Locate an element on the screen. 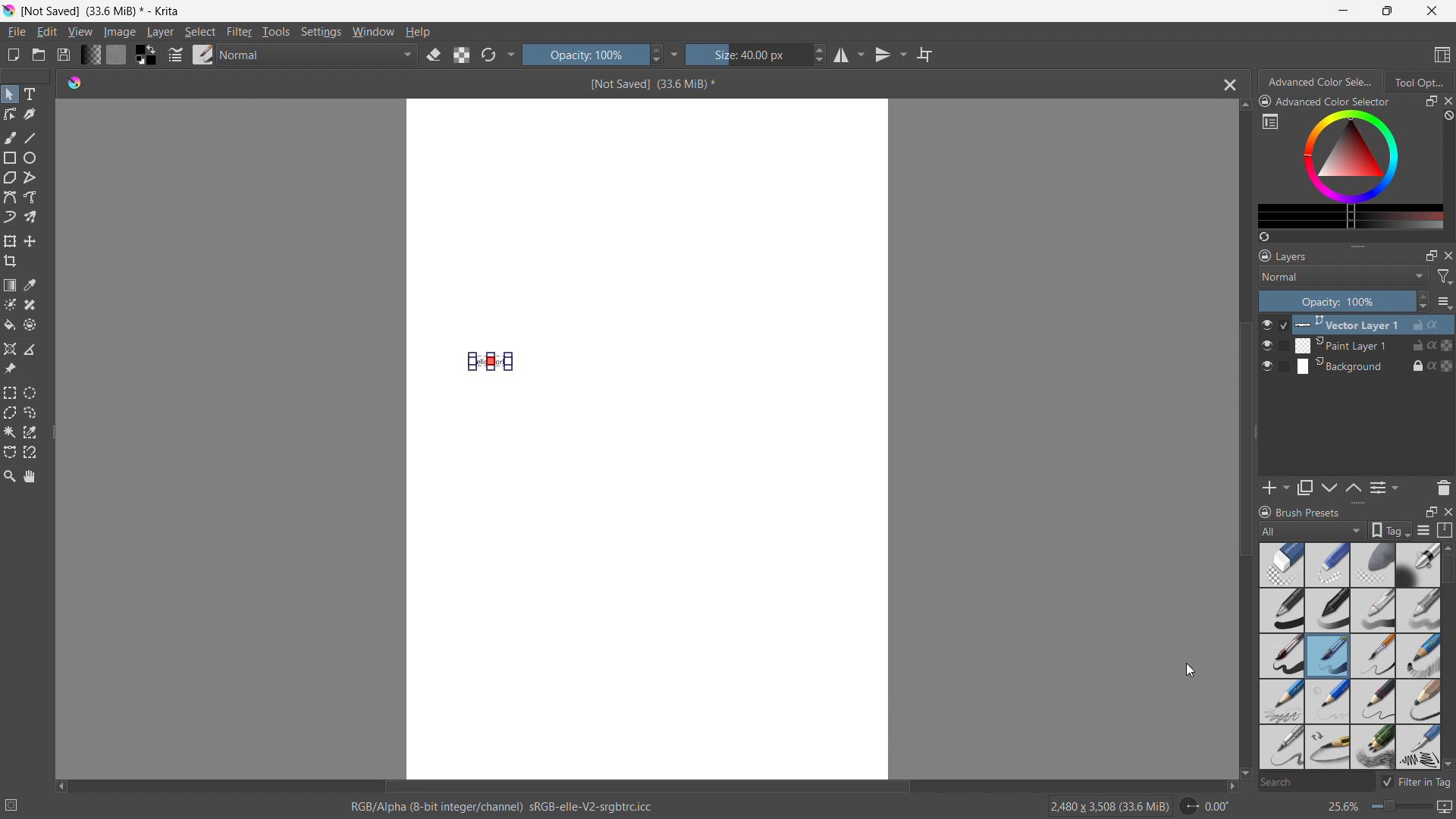 This screenshot has width=1456, height=819. save is located at coordinates (63, 55).